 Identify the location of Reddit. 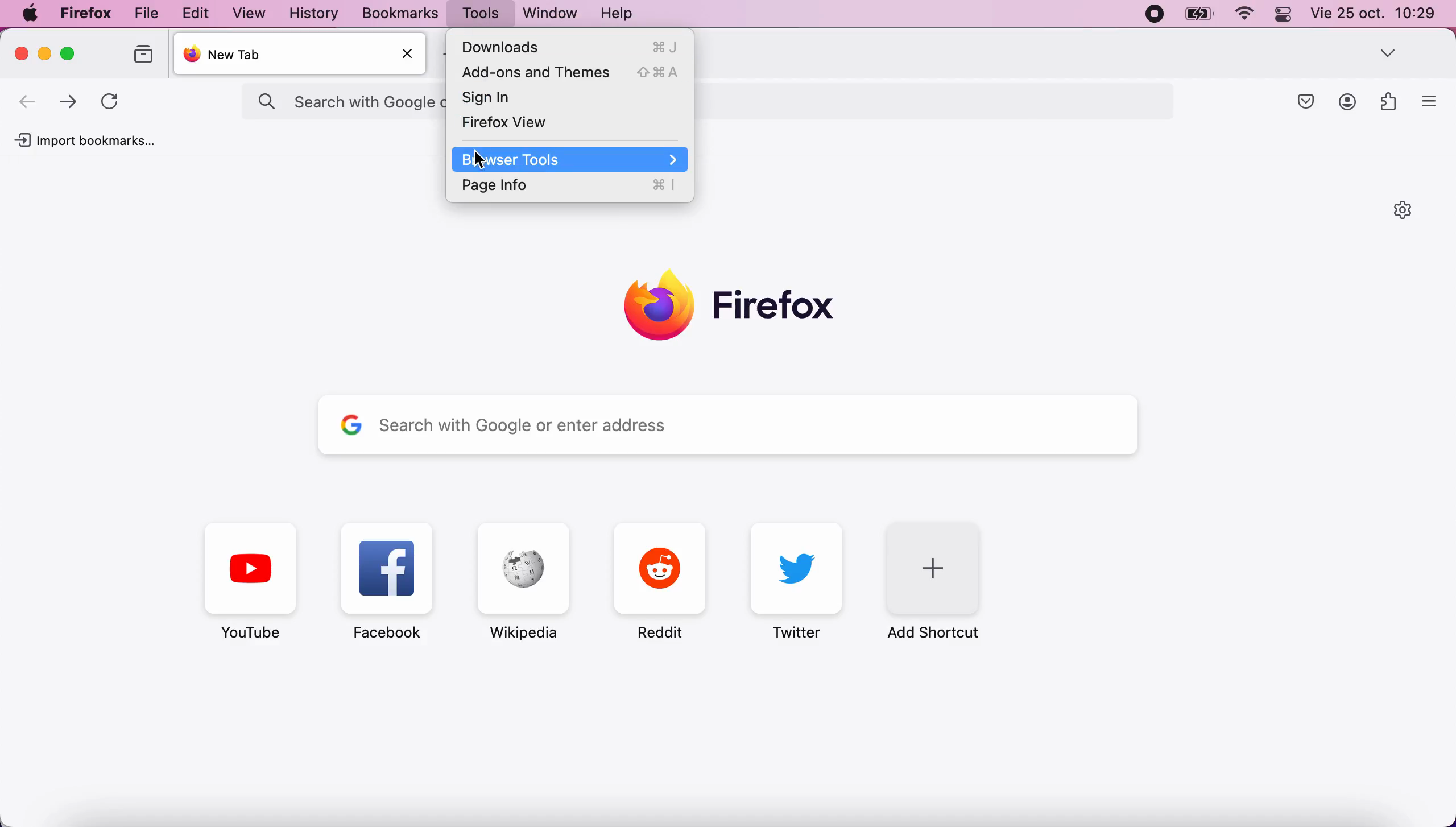
(661, 581).